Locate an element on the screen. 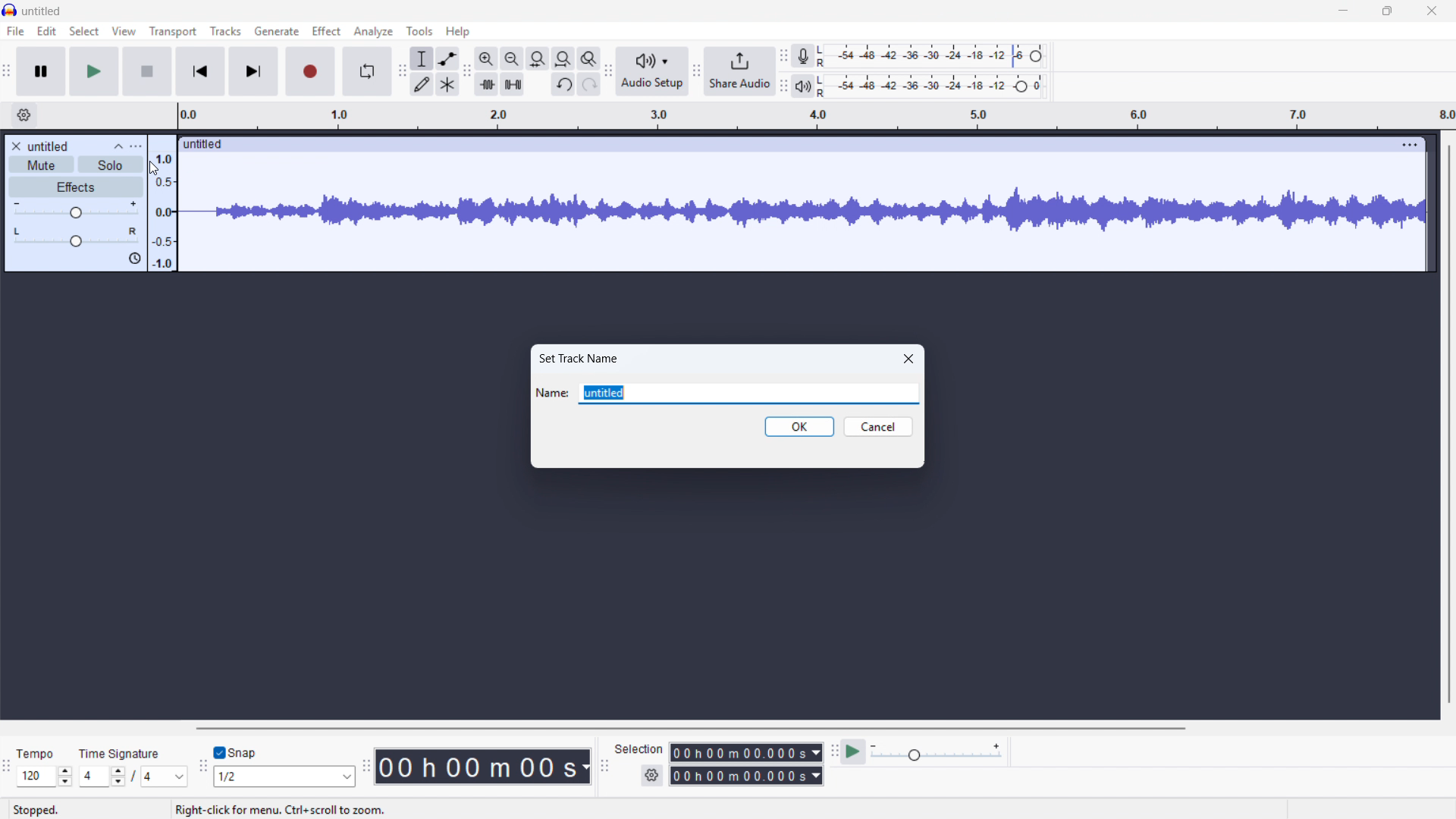 The height and width of the screenshot is (819, 1456). Vertical scroll bar is located at coordinates (1448, 422).